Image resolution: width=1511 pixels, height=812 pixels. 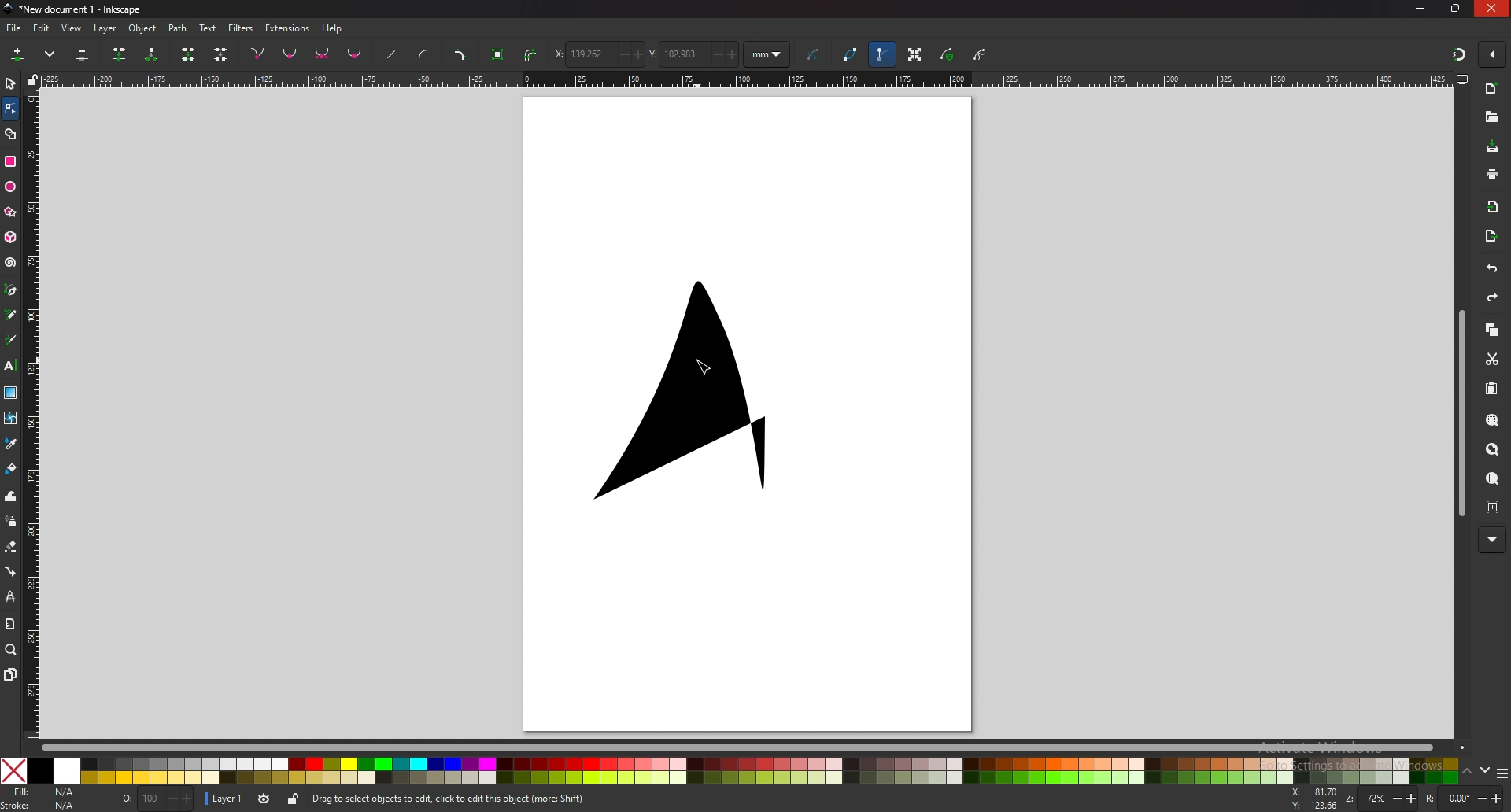 What do you see at coordinates (295, 799) in the screenshot?
I see `lock` at bounding box center [295, 799].